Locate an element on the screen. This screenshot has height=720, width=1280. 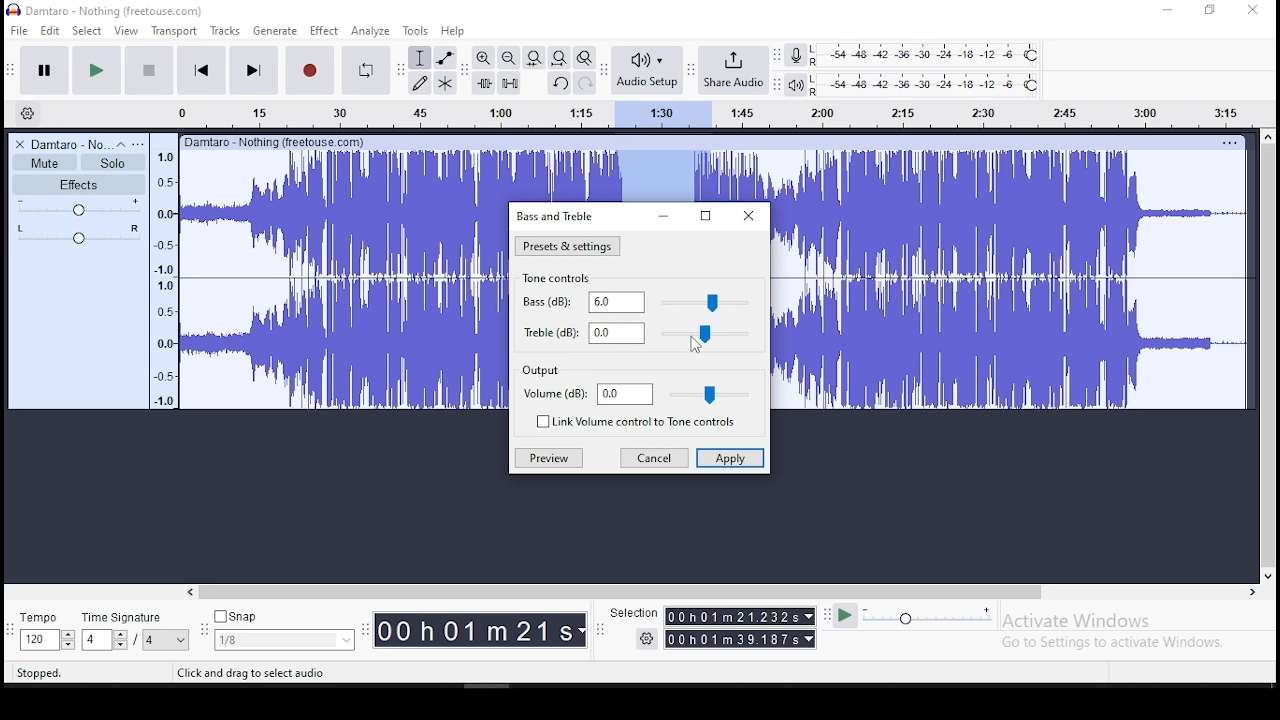
share audio is located at coordinates (735, 72).